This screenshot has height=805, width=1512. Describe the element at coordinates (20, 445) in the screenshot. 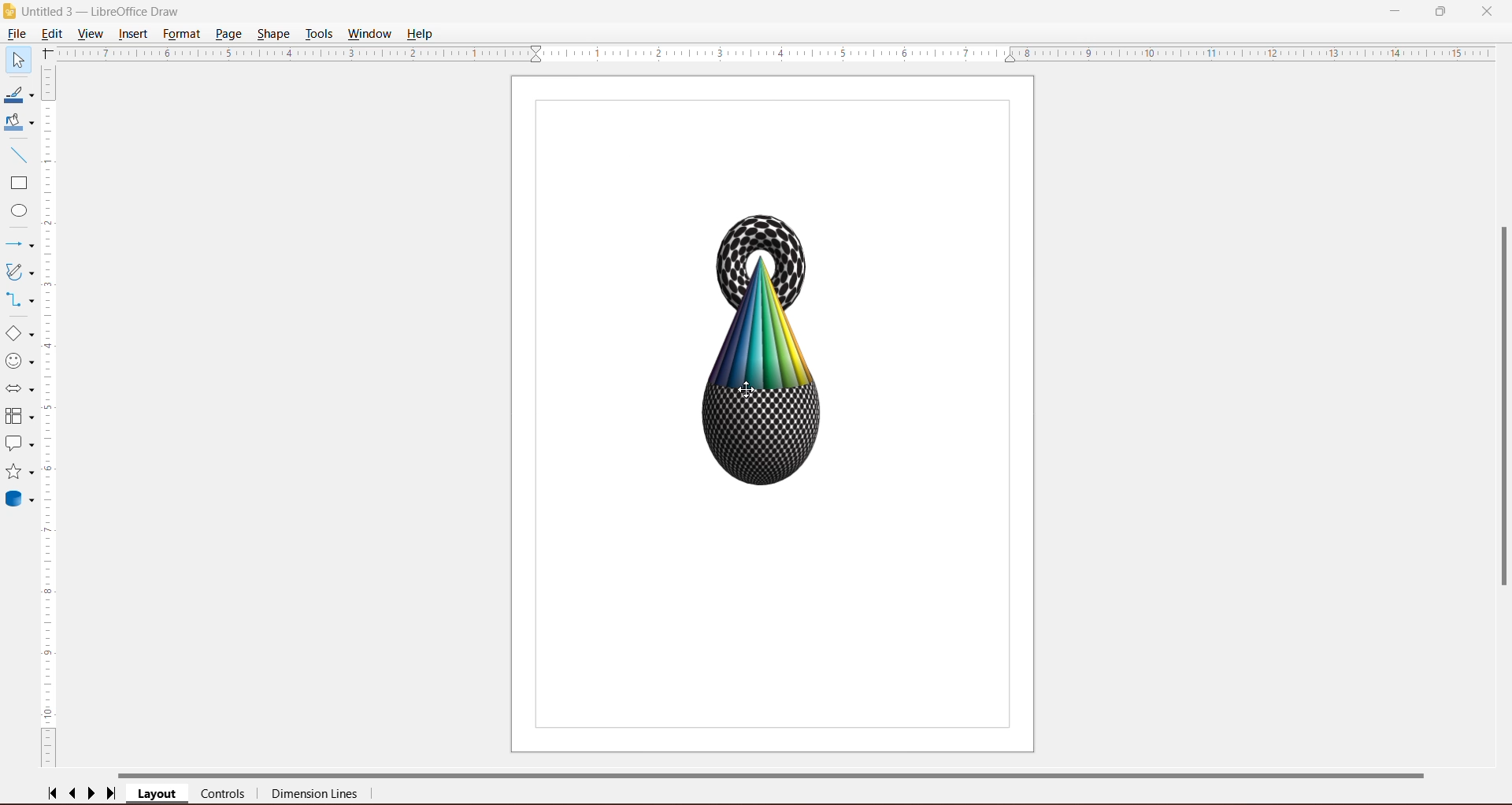

I see `Callout Shapes` at that location.